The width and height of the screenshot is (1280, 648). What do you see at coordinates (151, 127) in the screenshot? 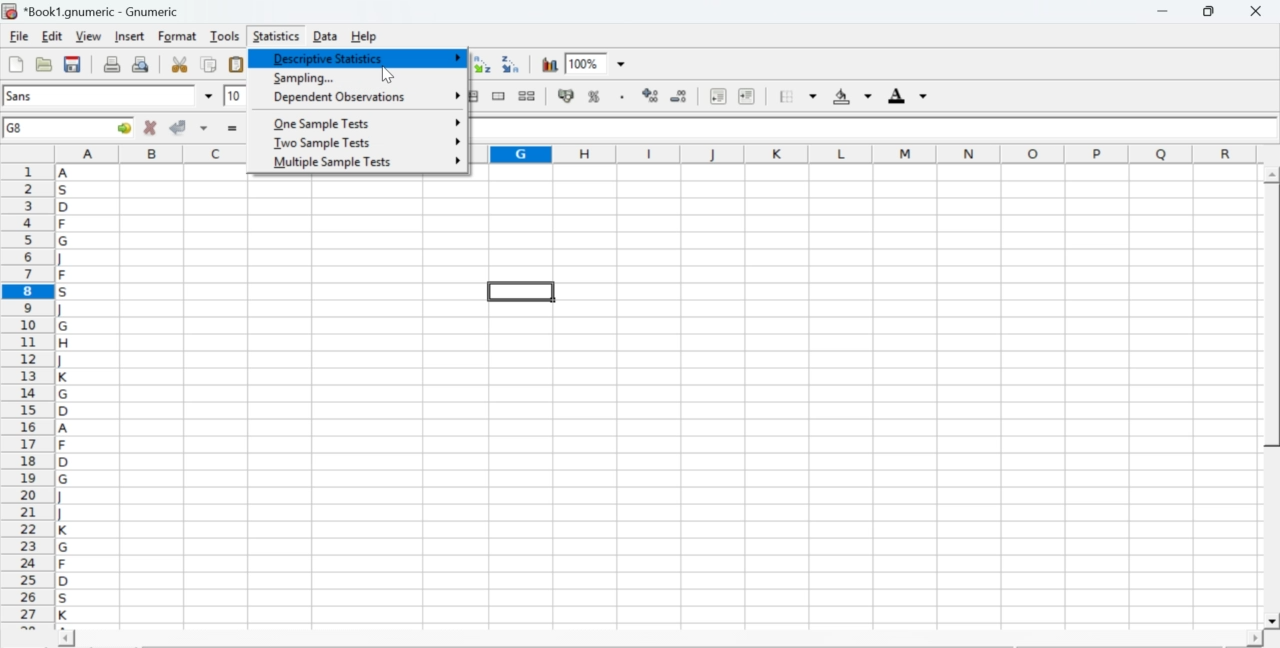
I see `cancel changes` at bounding box center [151, 127].